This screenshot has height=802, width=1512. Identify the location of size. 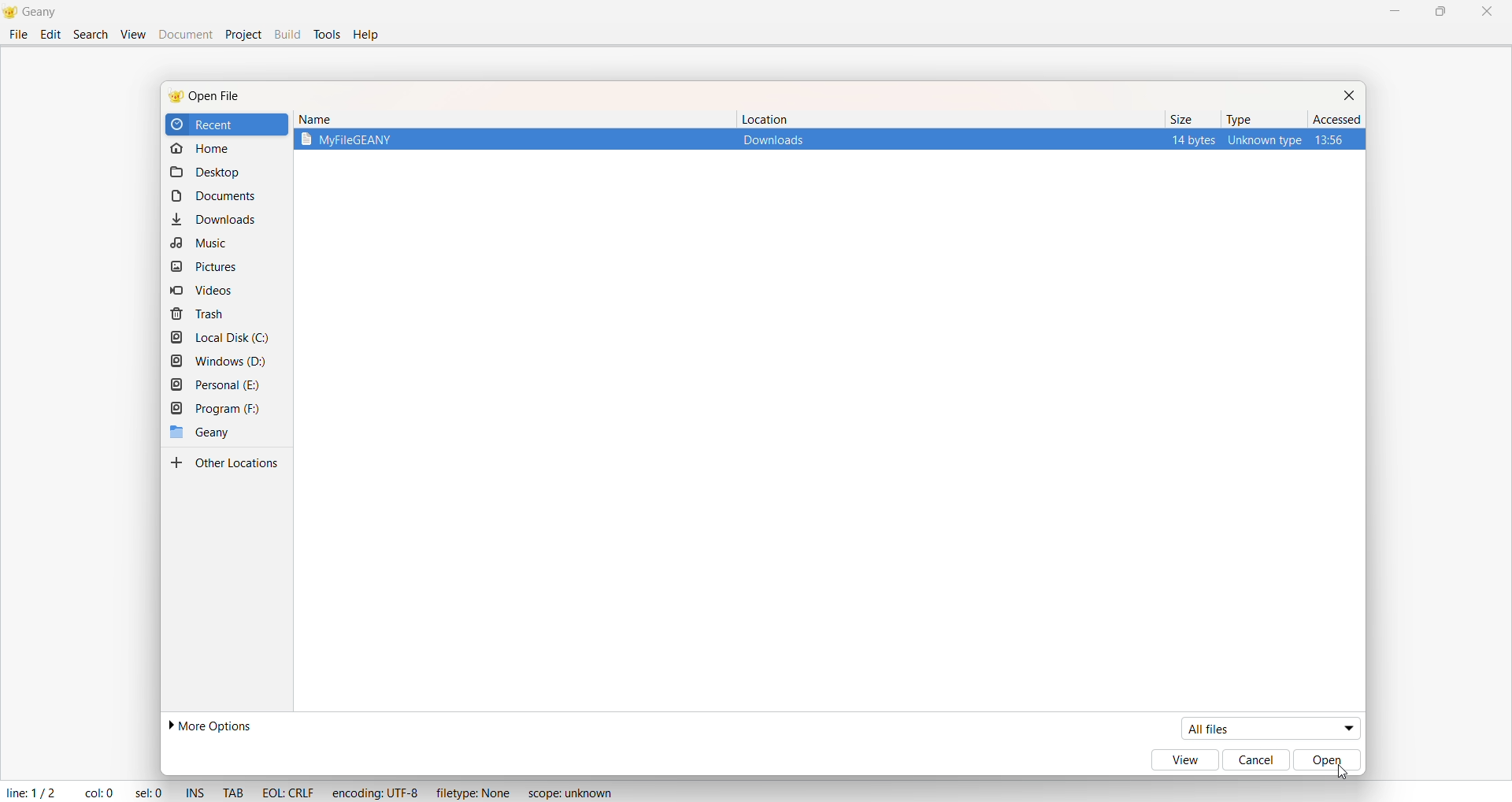
(1176, 117).